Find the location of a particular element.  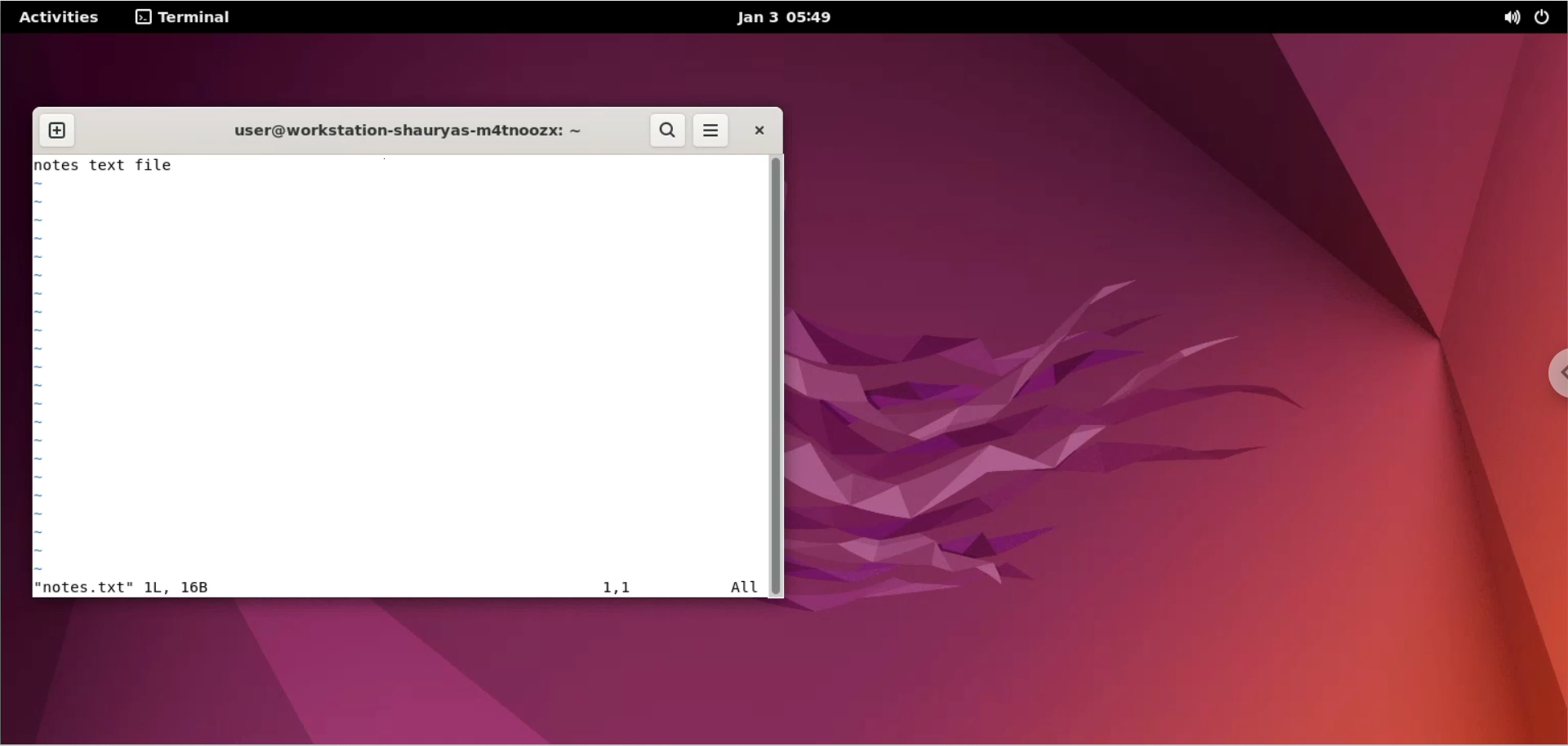

power options is located at coordinates (1546, 20).